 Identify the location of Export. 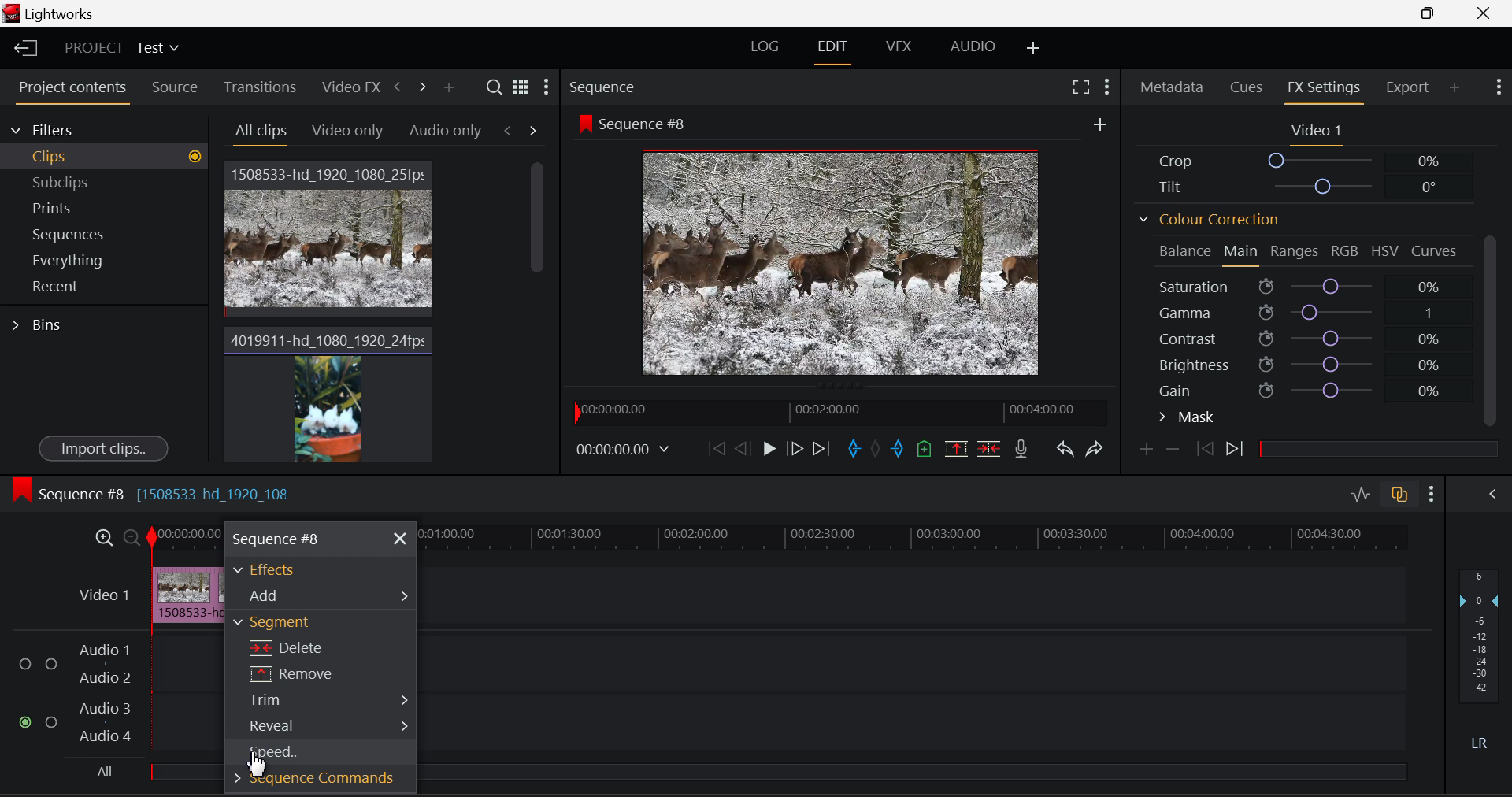
(1408, 89).